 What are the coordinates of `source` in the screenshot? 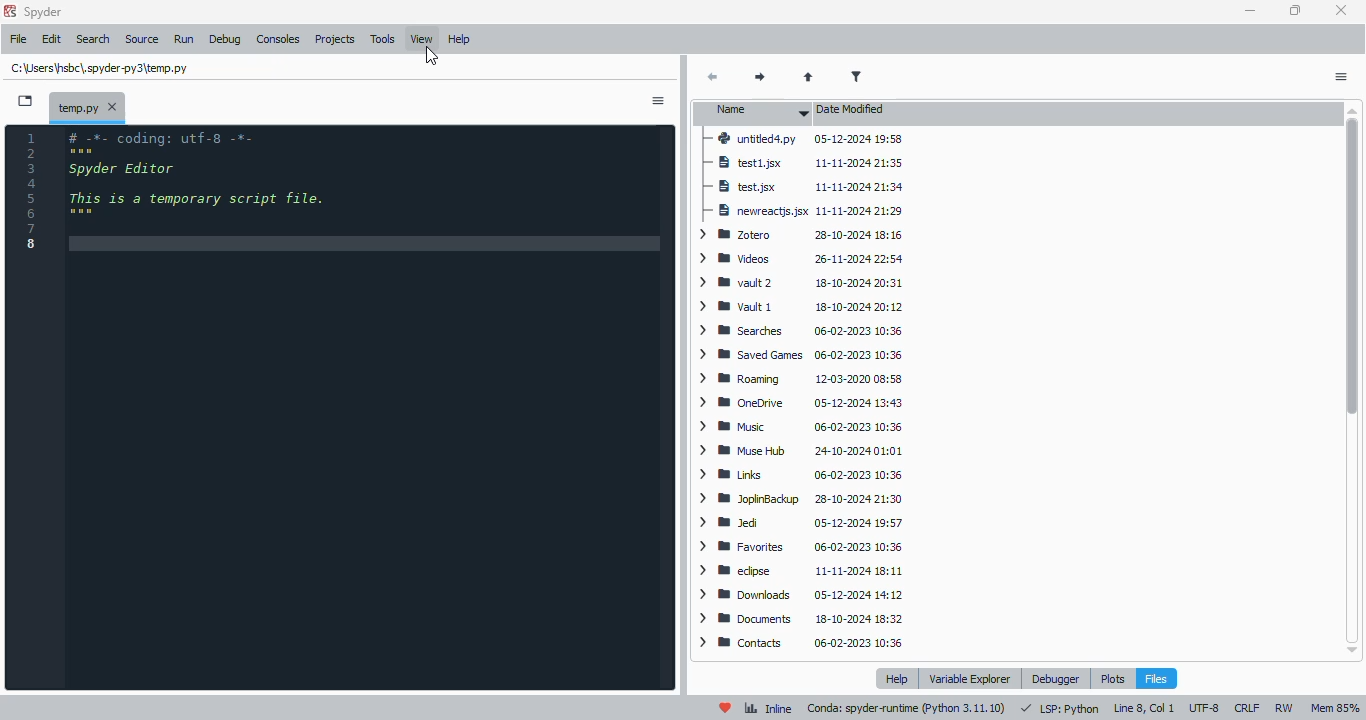 It's located at (143, 40).